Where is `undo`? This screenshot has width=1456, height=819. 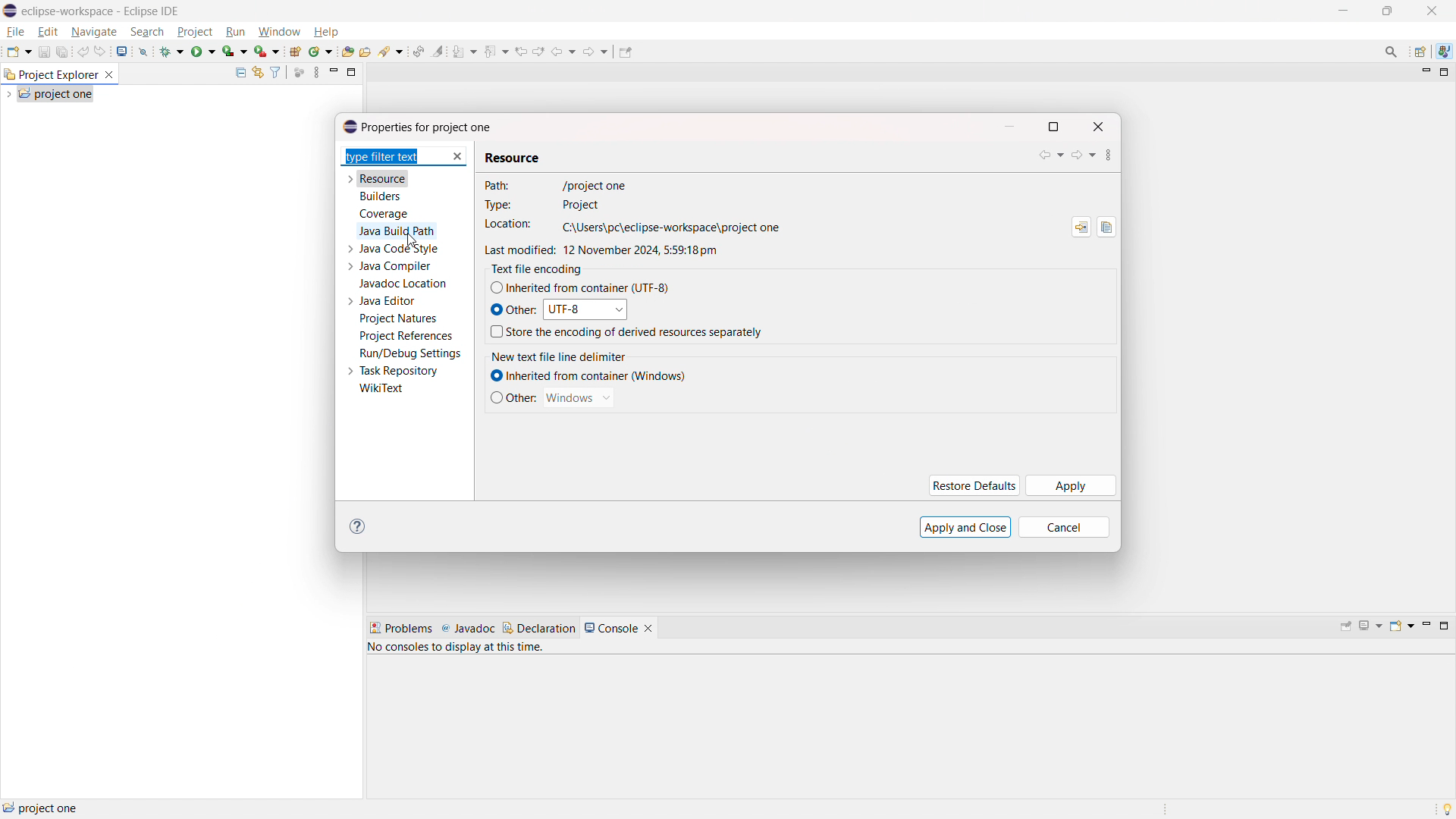 undo is located at coordinates (83, 51).